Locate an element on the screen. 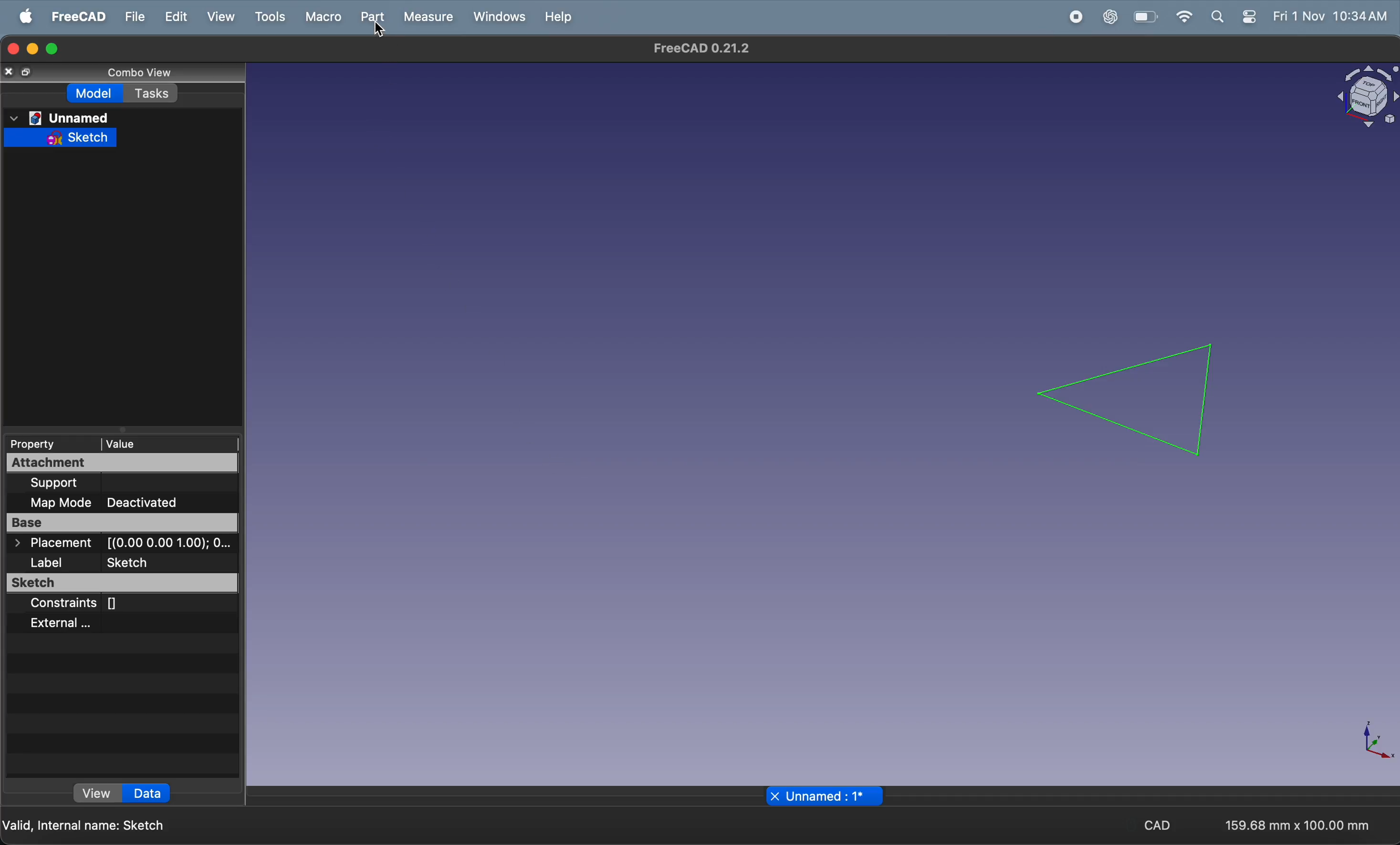 The image size is (1400, 845). apple menu is located at coordinates (27, 16).